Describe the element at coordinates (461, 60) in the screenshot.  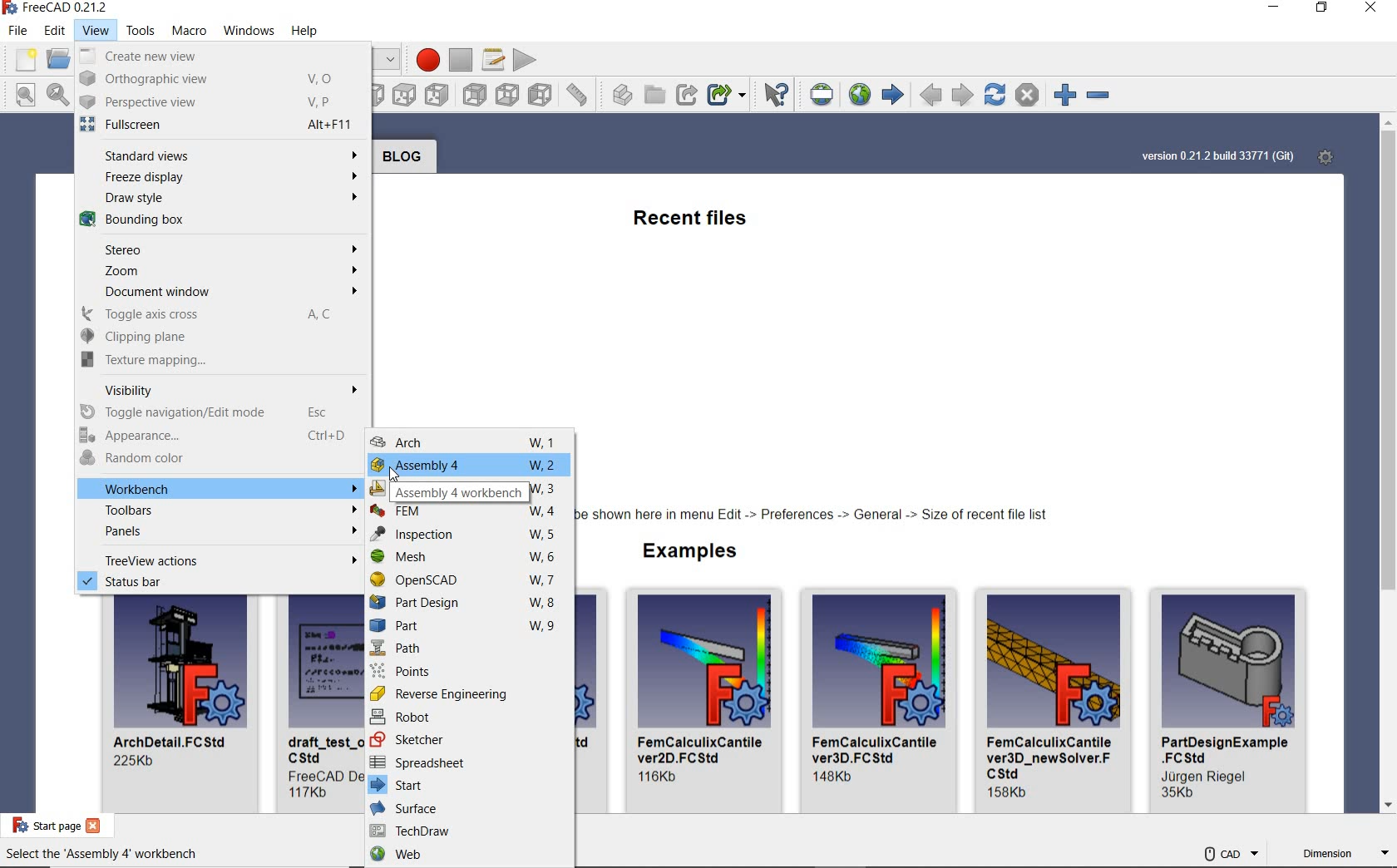
I see `stop macro recording` at that location.